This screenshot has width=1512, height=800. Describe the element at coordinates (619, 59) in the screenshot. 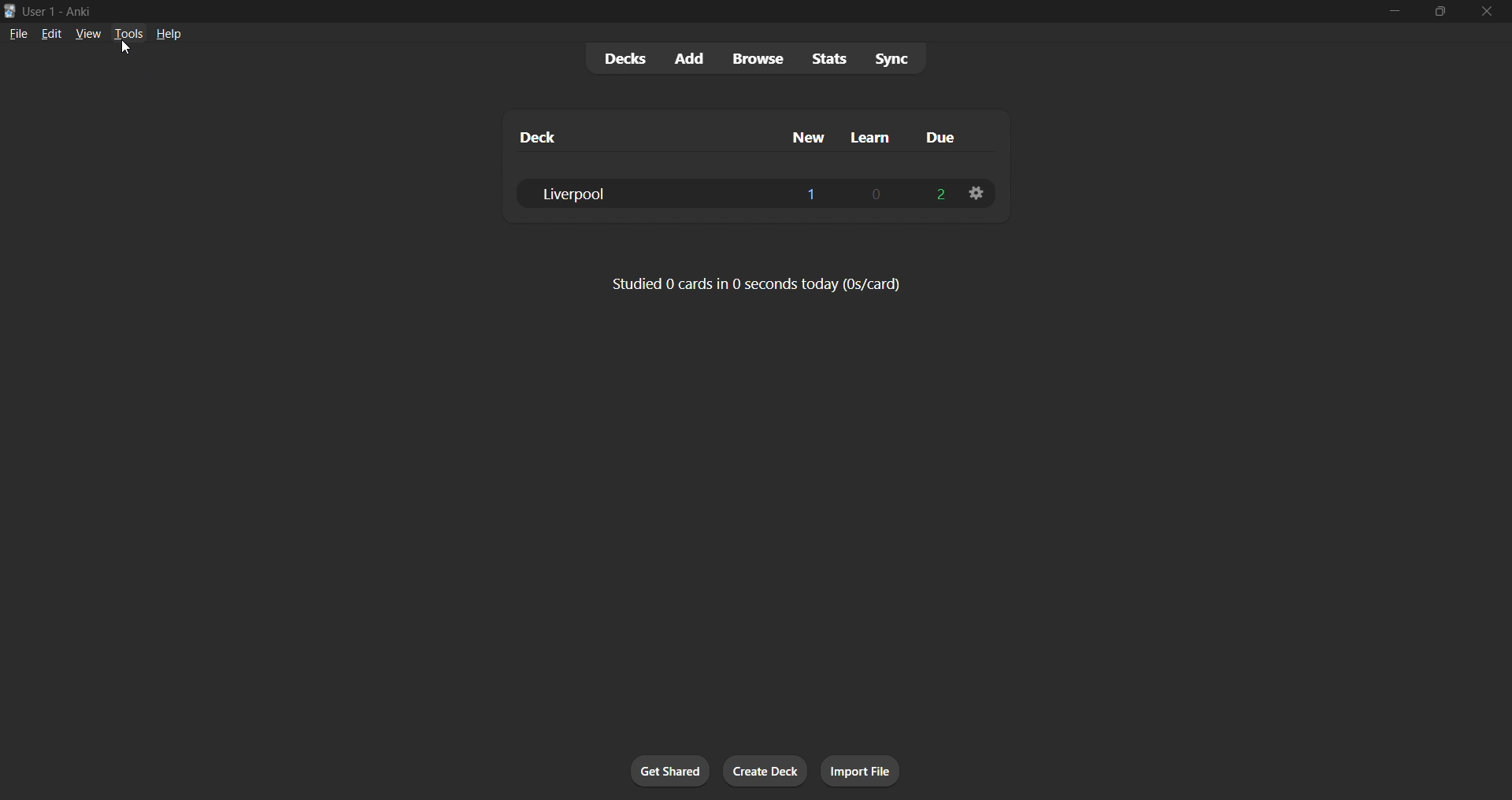

I see `decks` at that location.